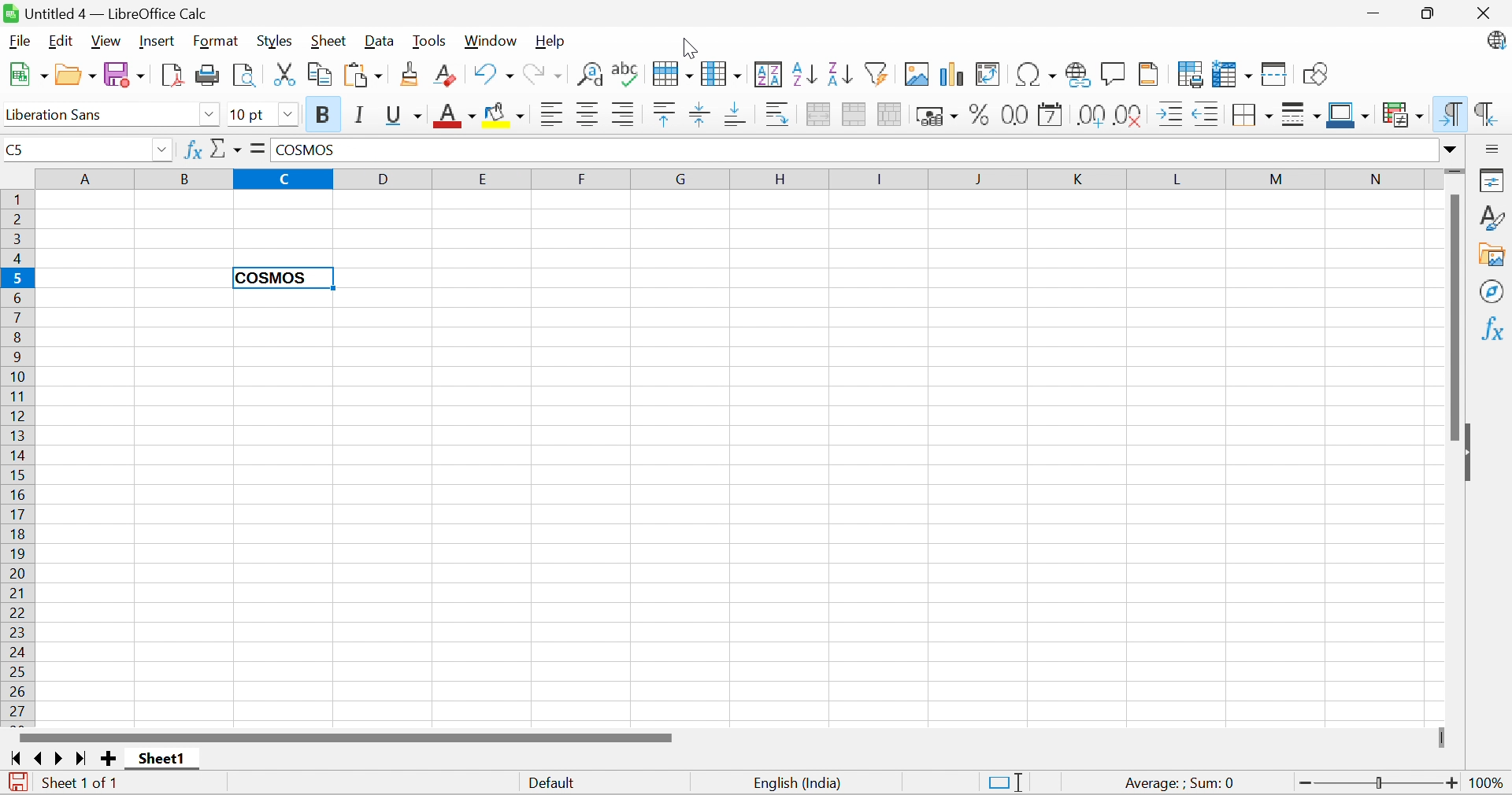  What do you see at coordinates (163, 760) in the screenshot?
I see `Sheet 1` at bounding box center [163, 760].